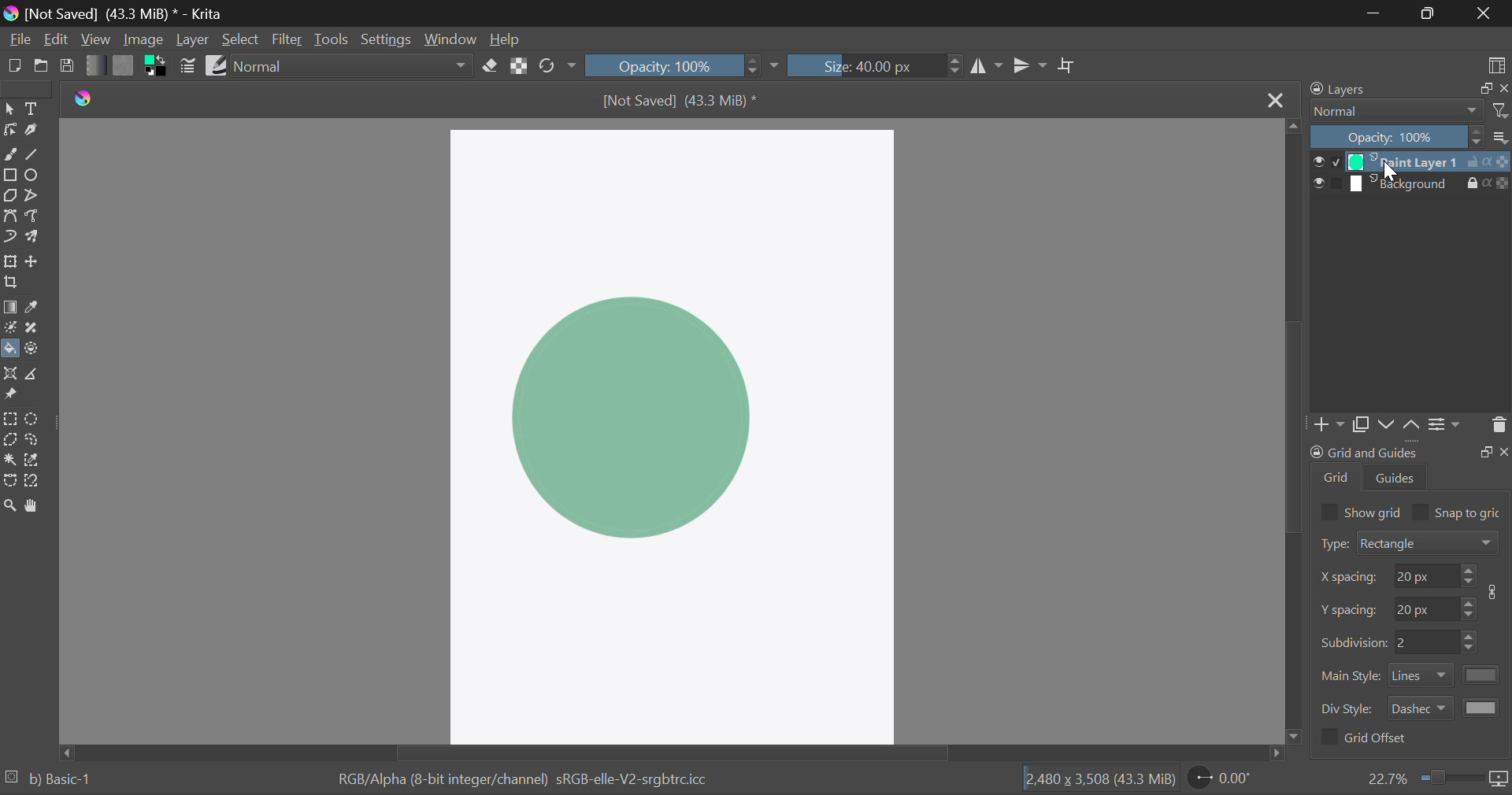  What do you see at coordinates (1096, 780) in the screenshot?
I see `Document Dimensions` at bounding box center [1096, 780].